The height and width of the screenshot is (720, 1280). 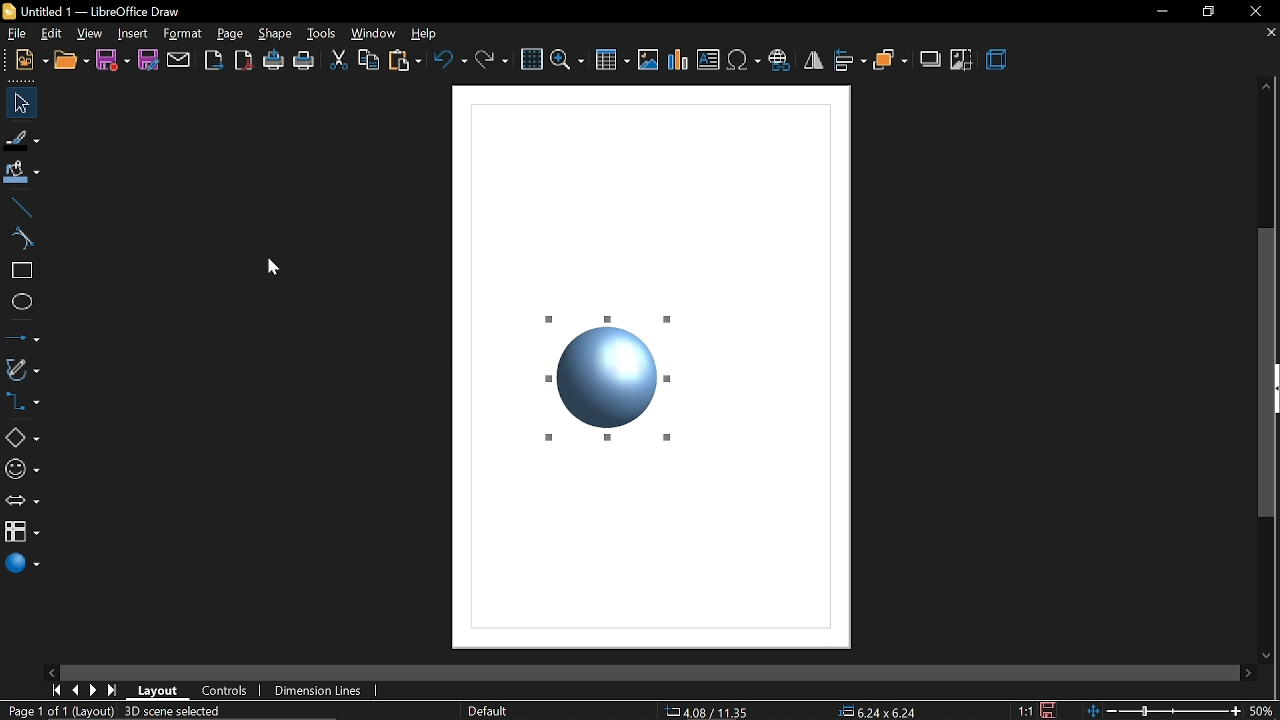 What do you see at coordinates (53, 673) in the screenshot?
I see `move left` at bounding box center [53, 673].